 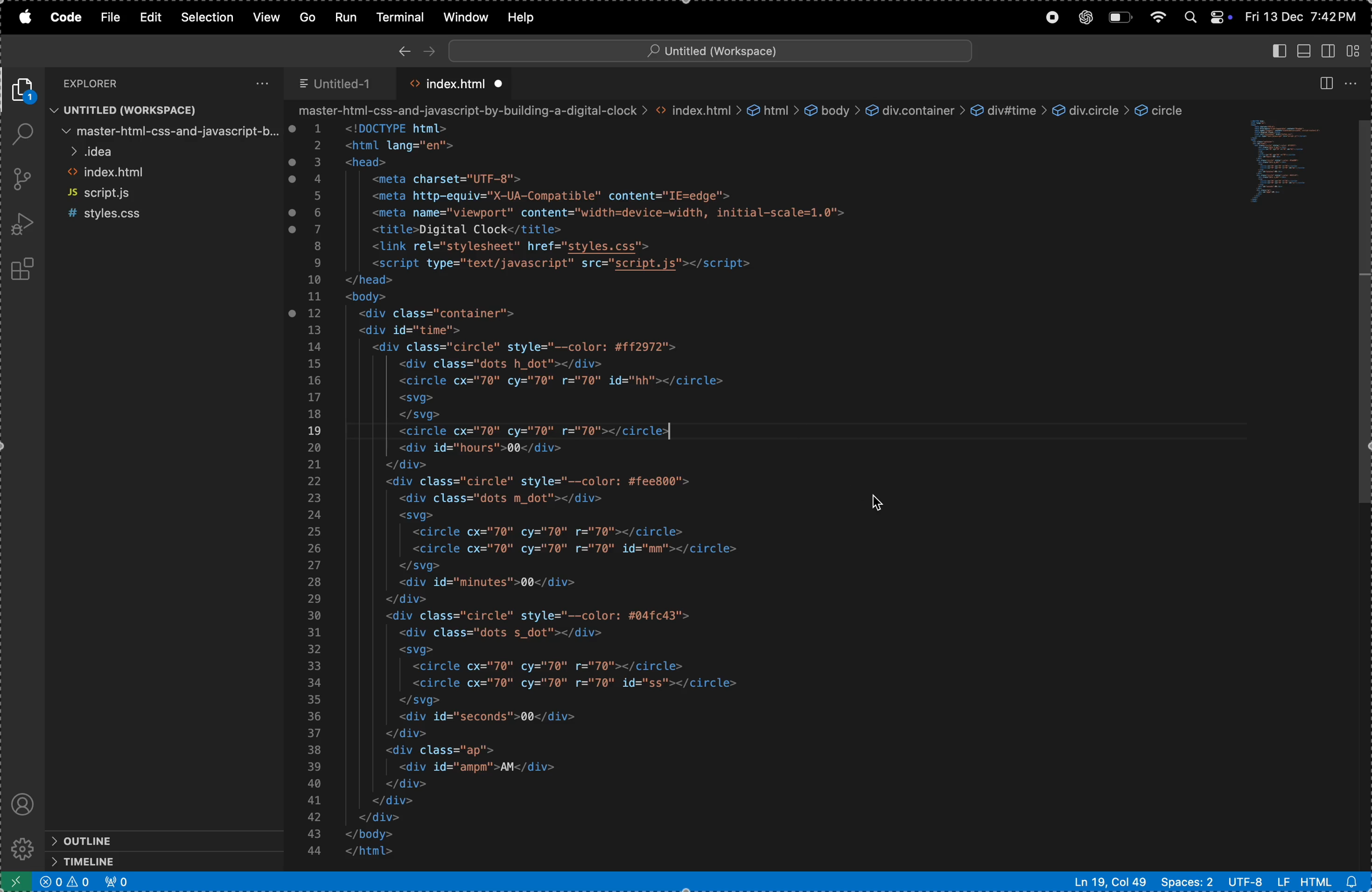 What do you see at coordinates (24, 802) in the screenshot?
I see `profile` at bounding box center [24, 802].